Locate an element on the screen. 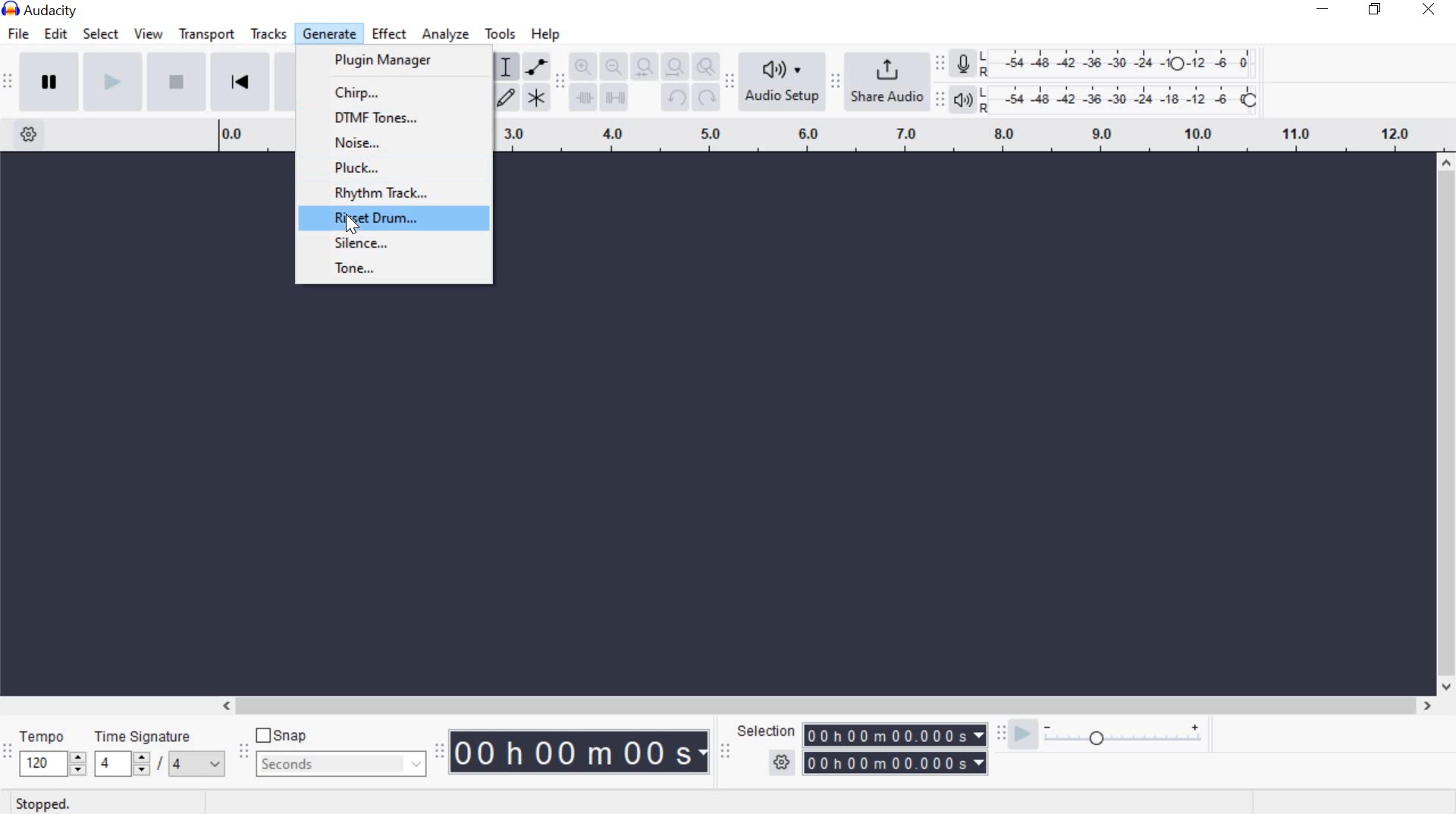 The image size is (1456, 814). selection option is located at coordinates (782, 760).